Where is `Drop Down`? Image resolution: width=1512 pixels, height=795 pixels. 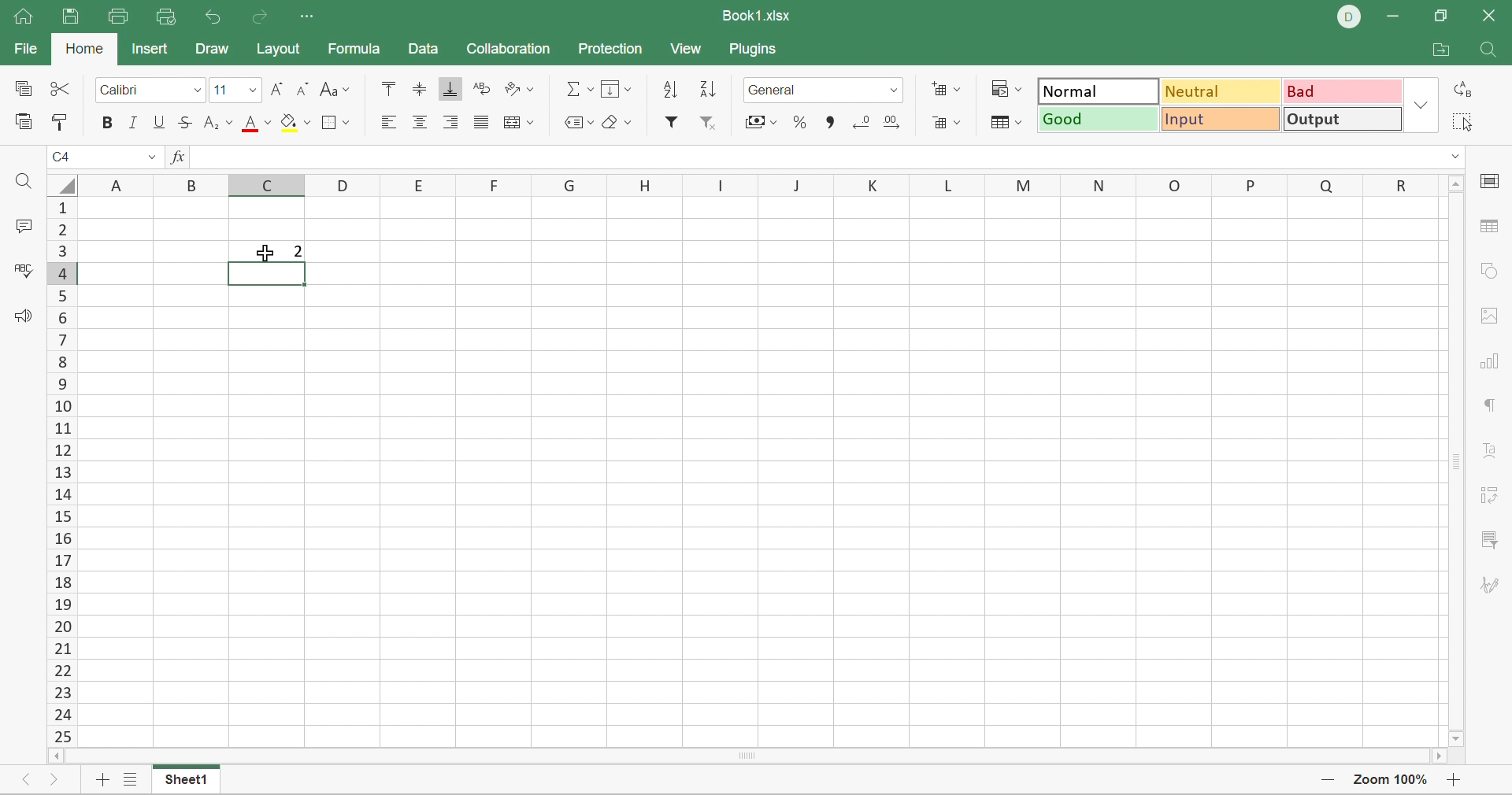
Drop Down is located at coordinates (254, 90).